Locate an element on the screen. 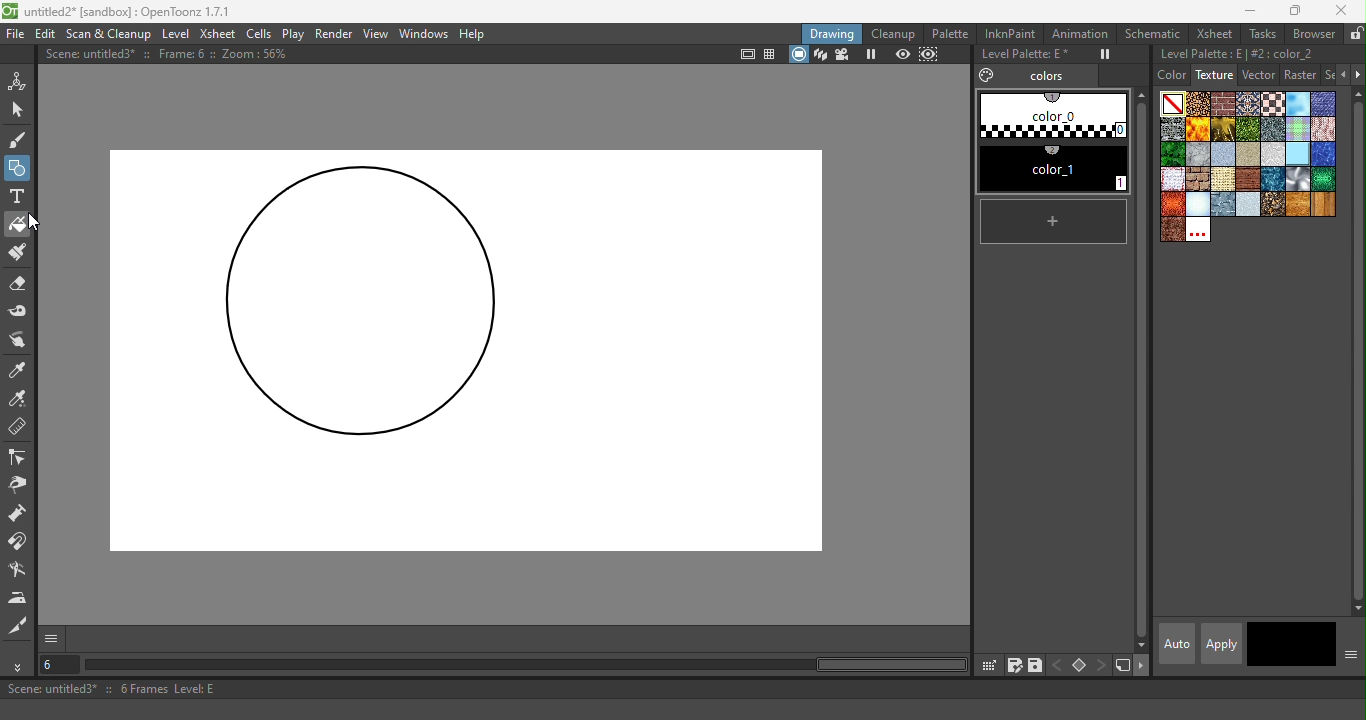 The height and width of the screenshot is (720, 1366). sea is located at coordinates (1273, 179).